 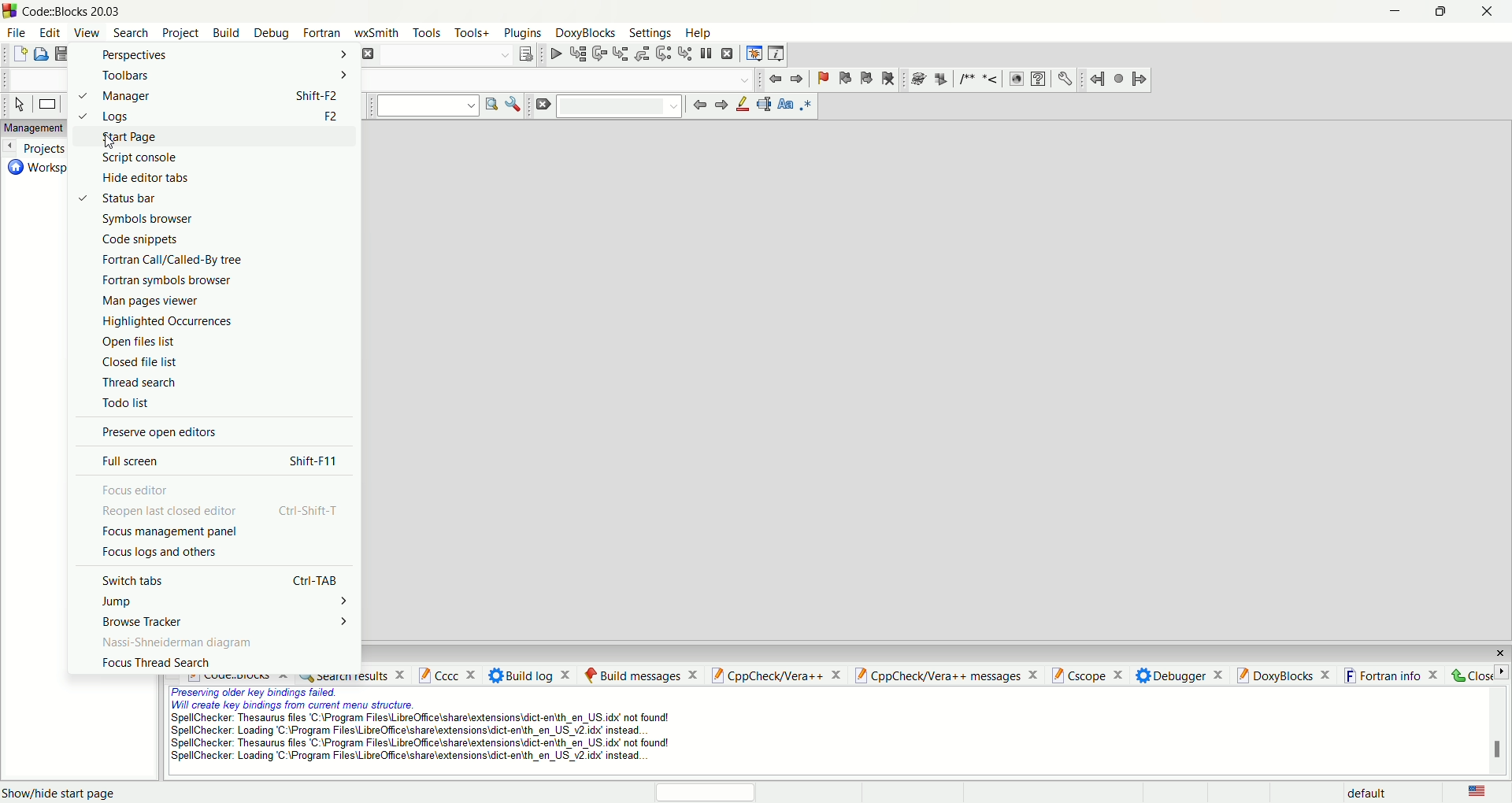 What do you see at coordinates (753, 53) in the screenshot?
I see `debugging windows` at bounding box center [753, 53].